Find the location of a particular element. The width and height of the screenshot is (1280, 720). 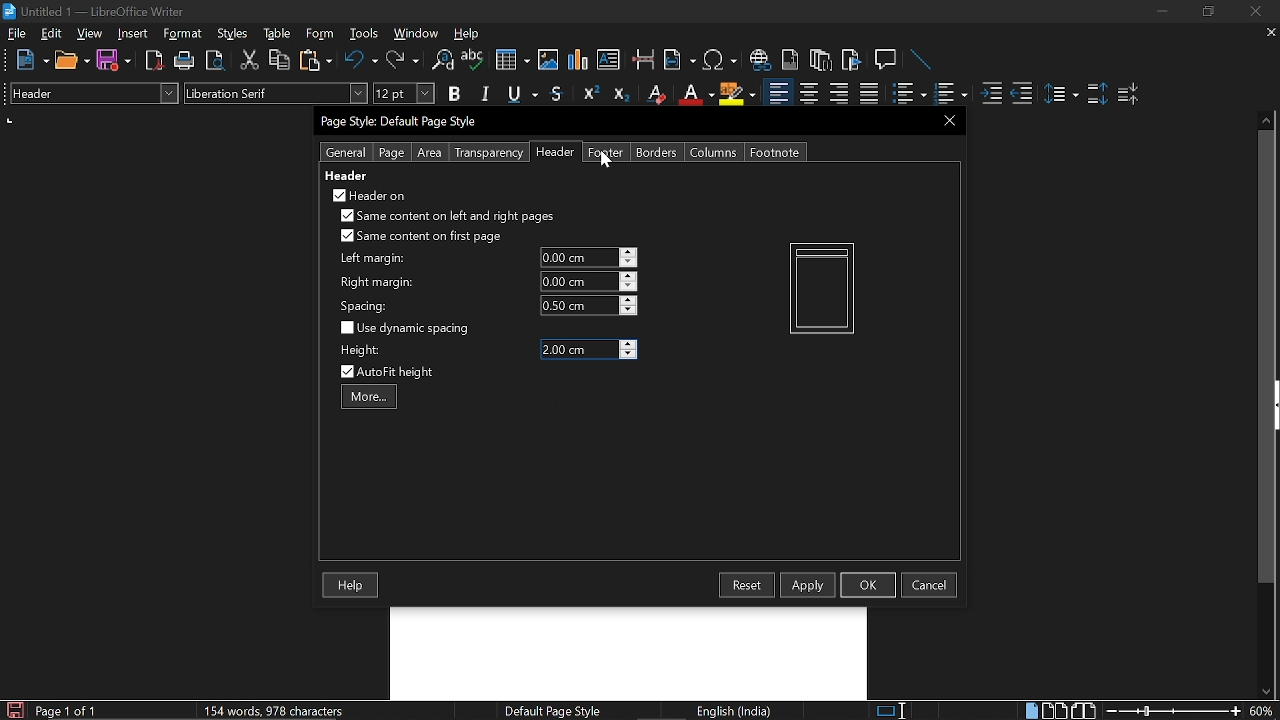

vertical scrollbar is located at coordinates (1262, 357).